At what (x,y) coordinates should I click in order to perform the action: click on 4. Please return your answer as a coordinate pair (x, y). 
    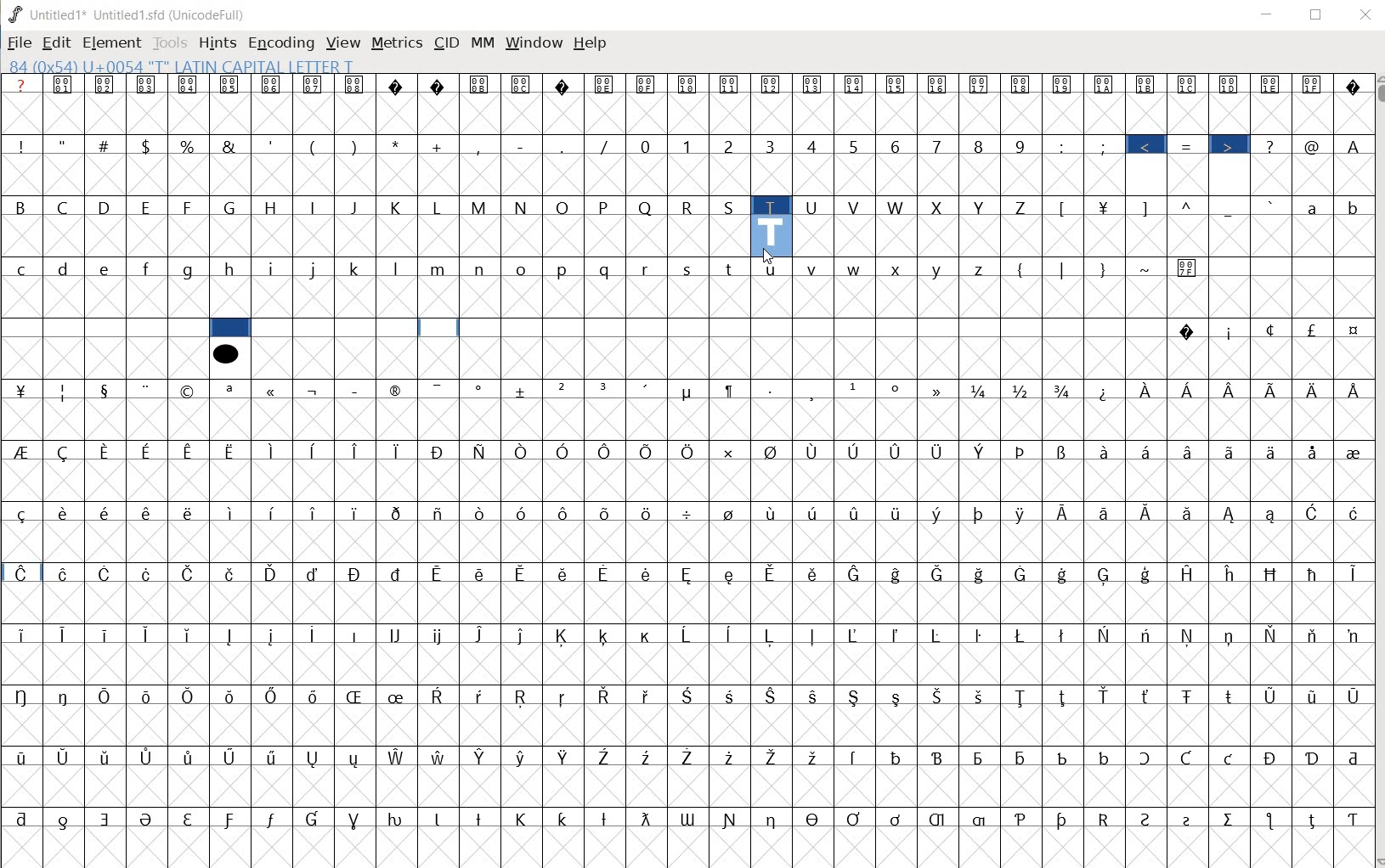
    Looking at the image, I should click on (815, 145).